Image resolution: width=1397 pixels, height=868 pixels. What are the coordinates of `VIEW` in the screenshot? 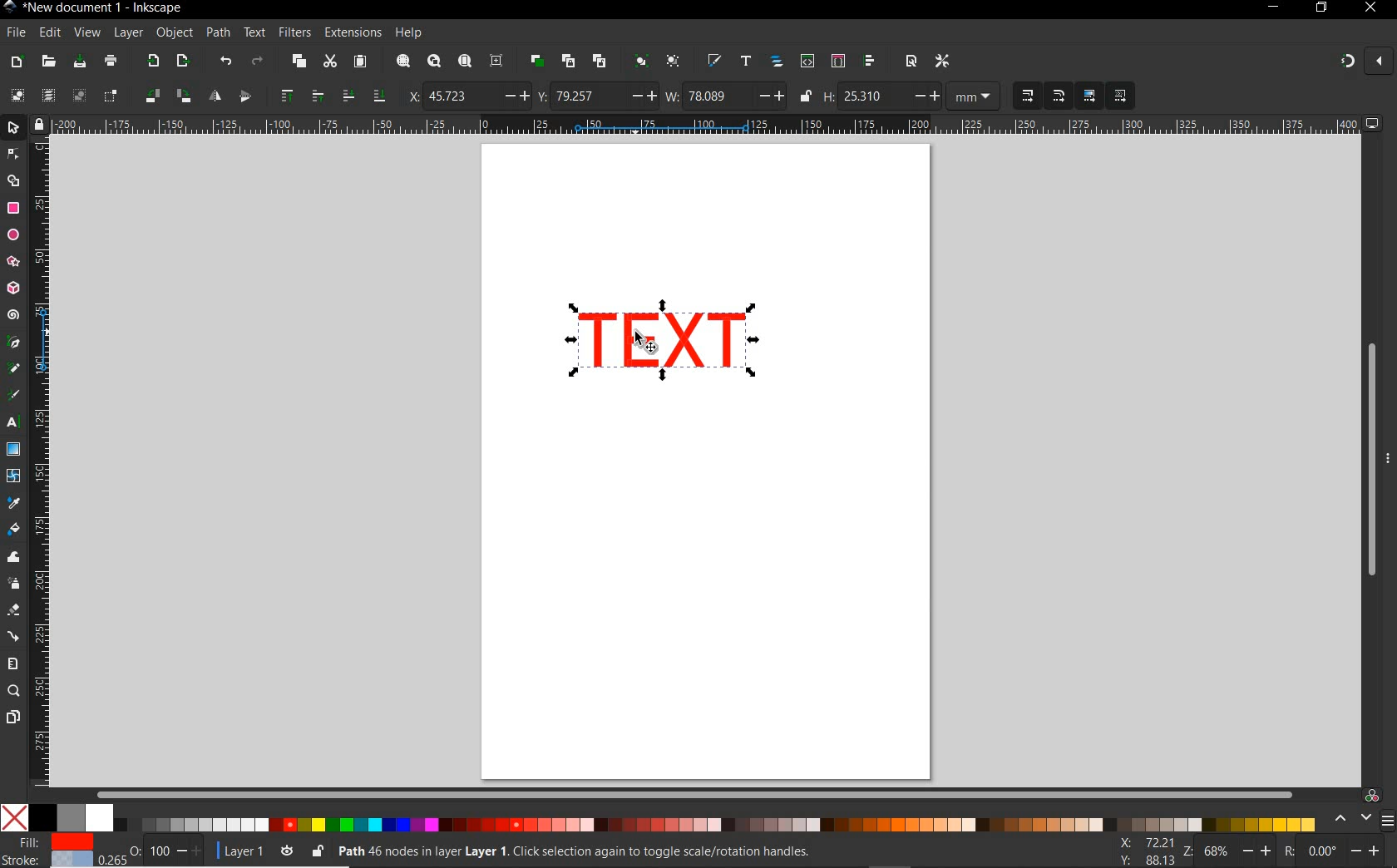 It's located at (86, 33).